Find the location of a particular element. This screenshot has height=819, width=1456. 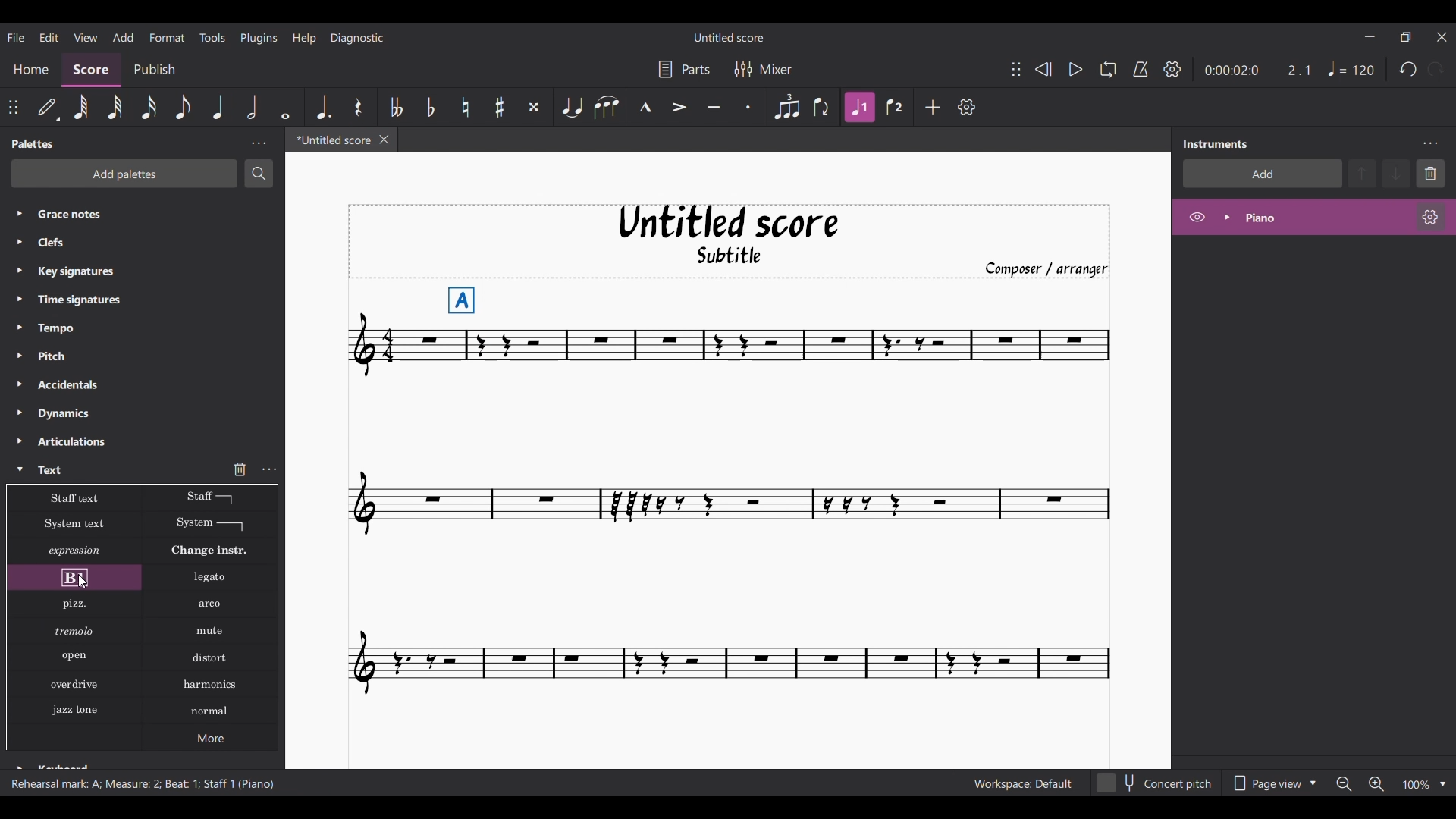

Customize toolbar is located at coordinates (966, 107).